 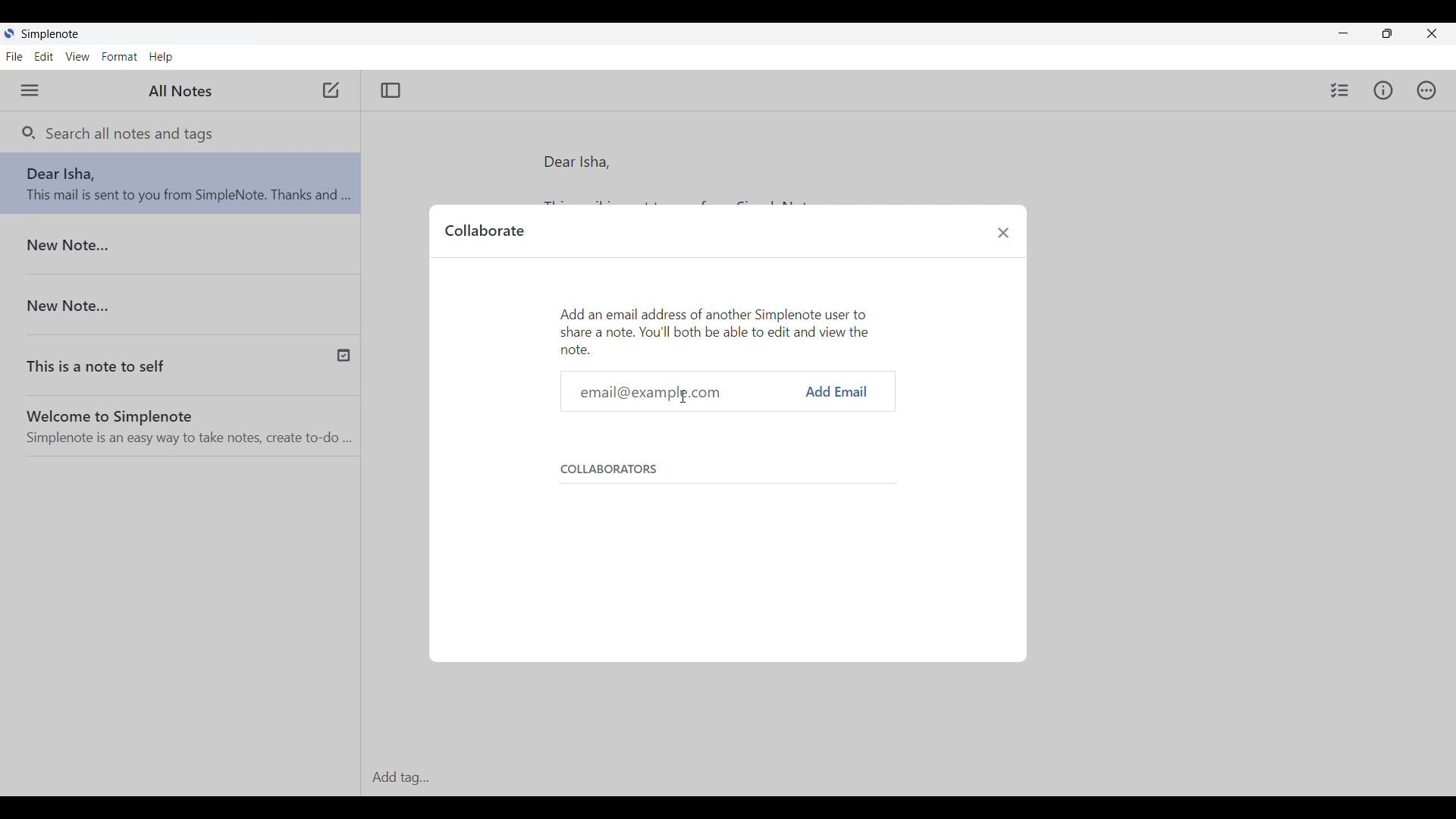 I want to click on Info, so click(x=1384, y=90).